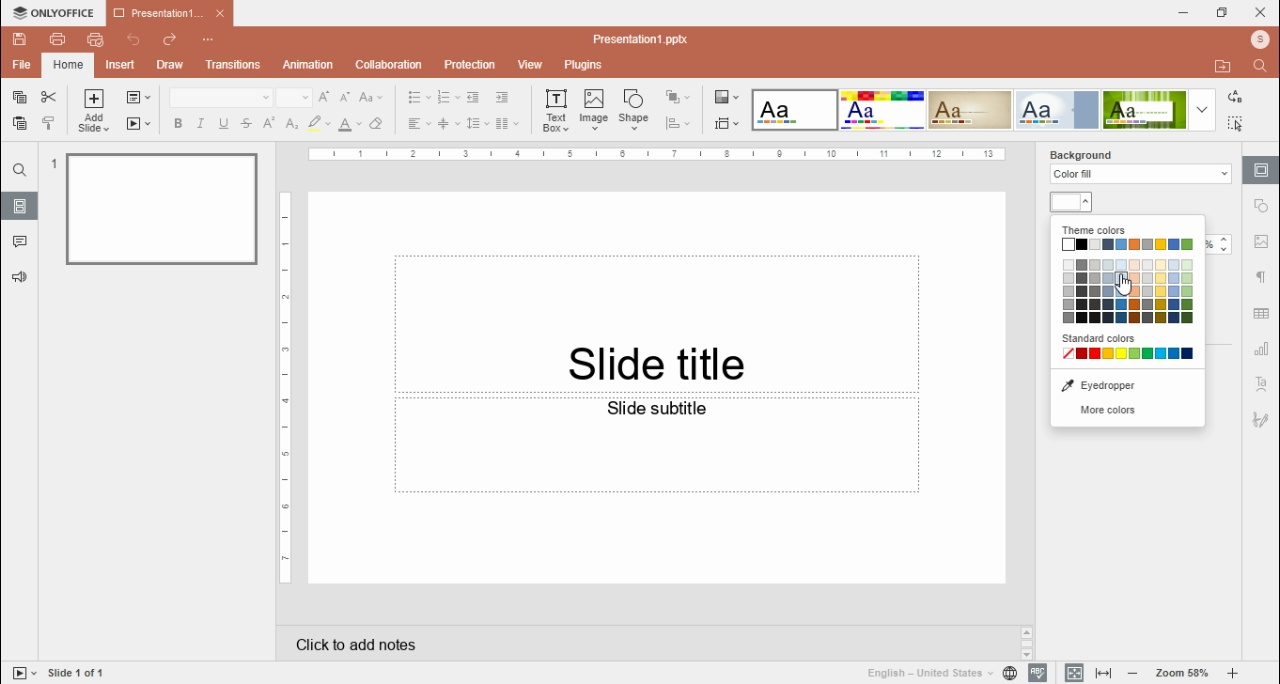 This screenshot has height=684, width=1280. I want to click on copy, so click(20, 97).